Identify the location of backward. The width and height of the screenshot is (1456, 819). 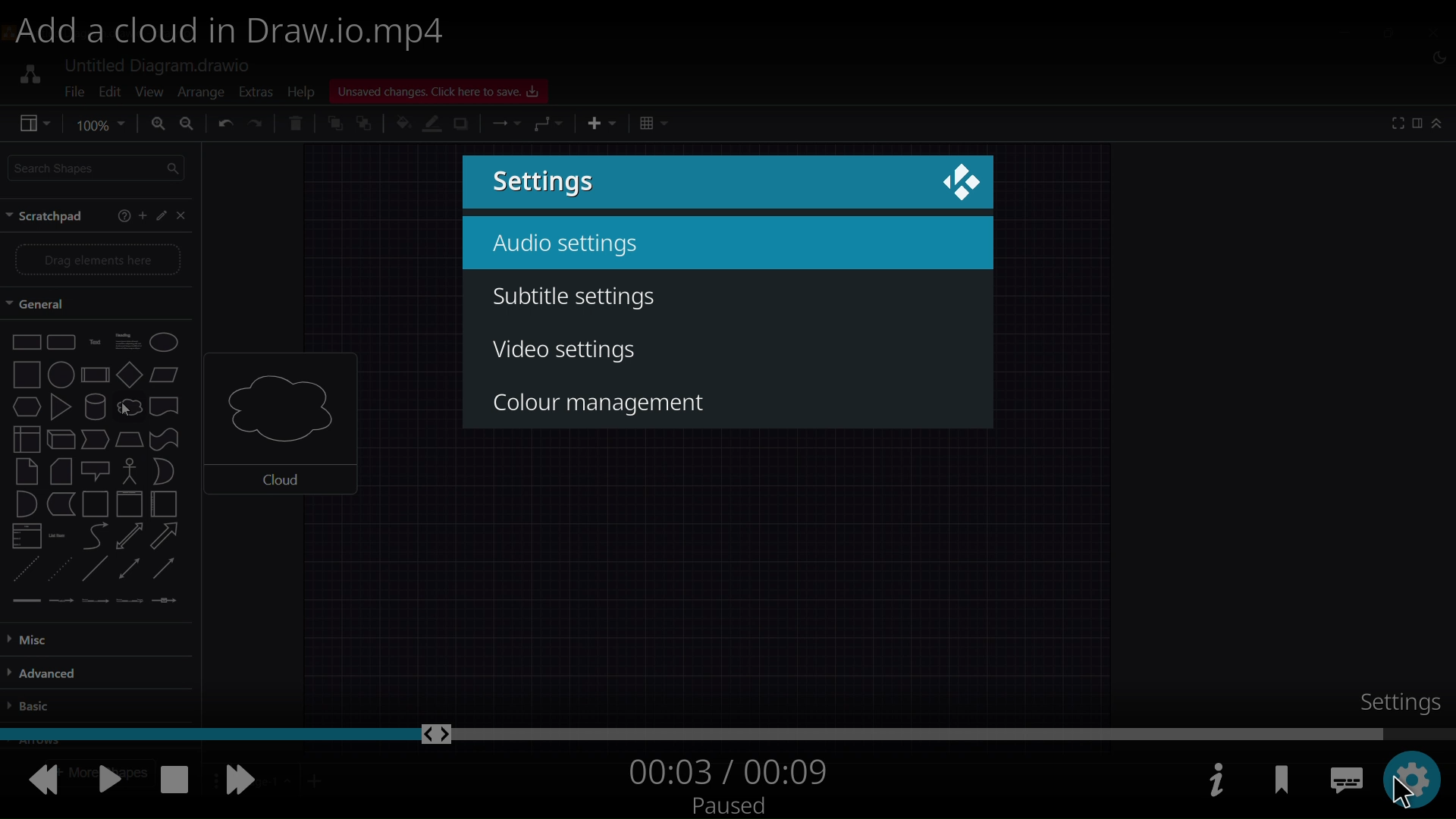
(41, 777).